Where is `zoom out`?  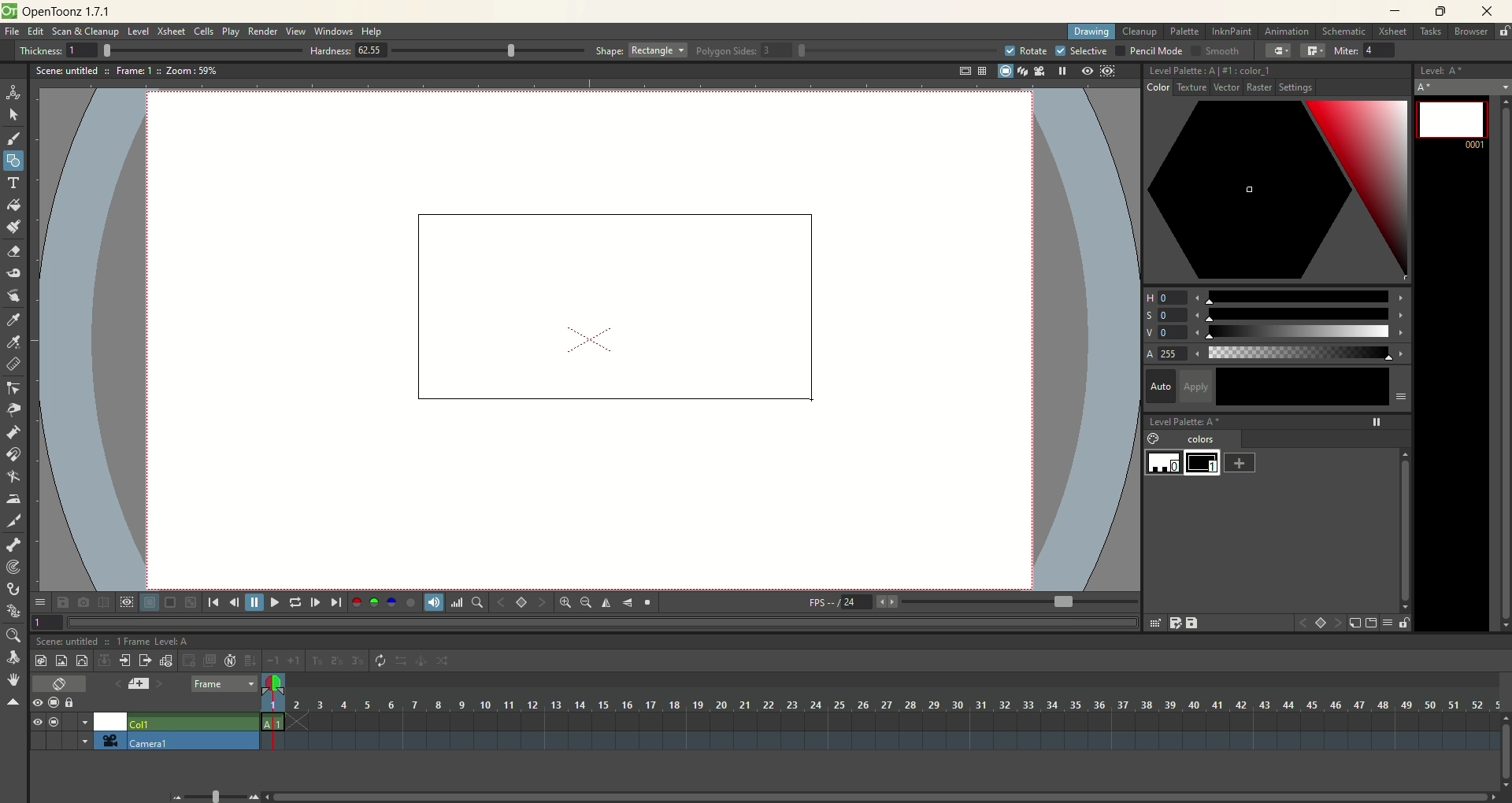
zoom out is located at coordinates (586, 604).